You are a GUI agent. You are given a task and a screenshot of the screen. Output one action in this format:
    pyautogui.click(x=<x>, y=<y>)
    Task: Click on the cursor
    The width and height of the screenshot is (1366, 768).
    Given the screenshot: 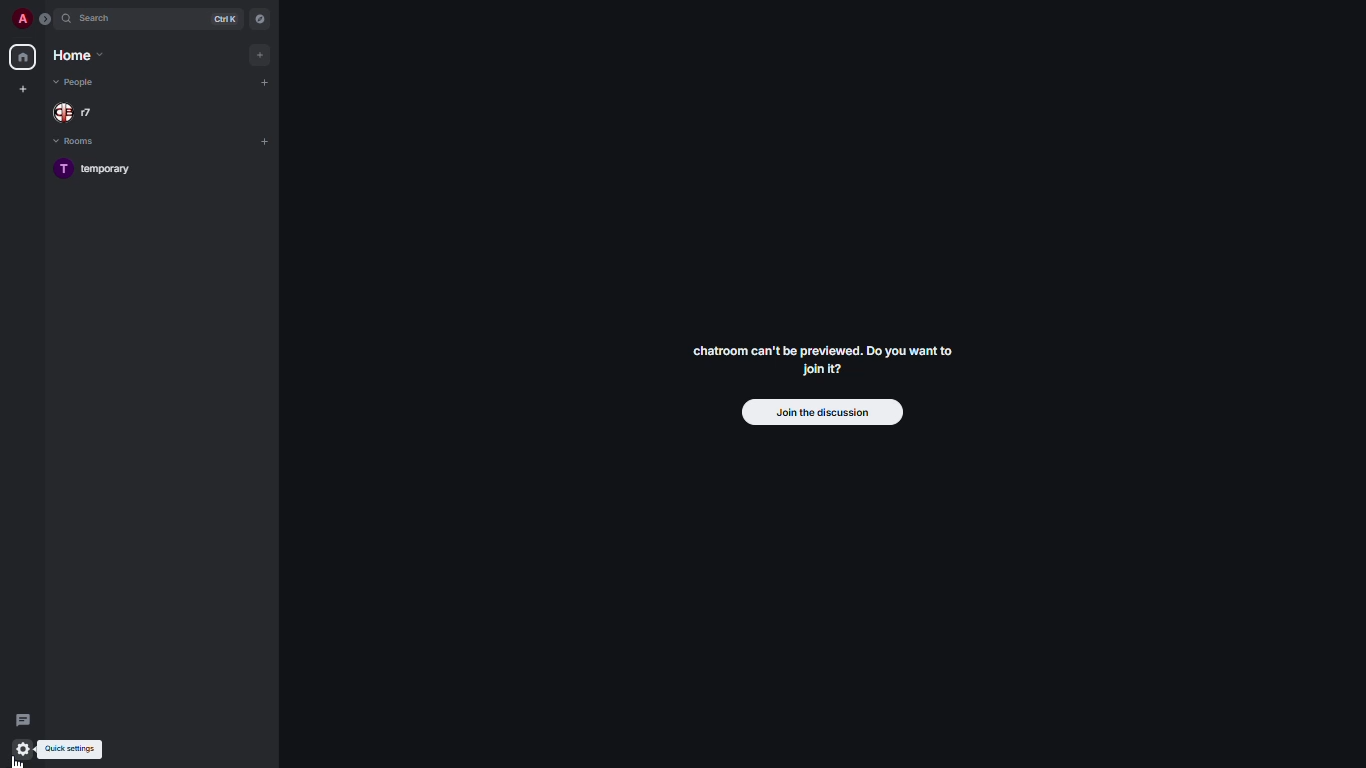 What is the action you would take?
    pyautogui.click(x=19, y=758)
    